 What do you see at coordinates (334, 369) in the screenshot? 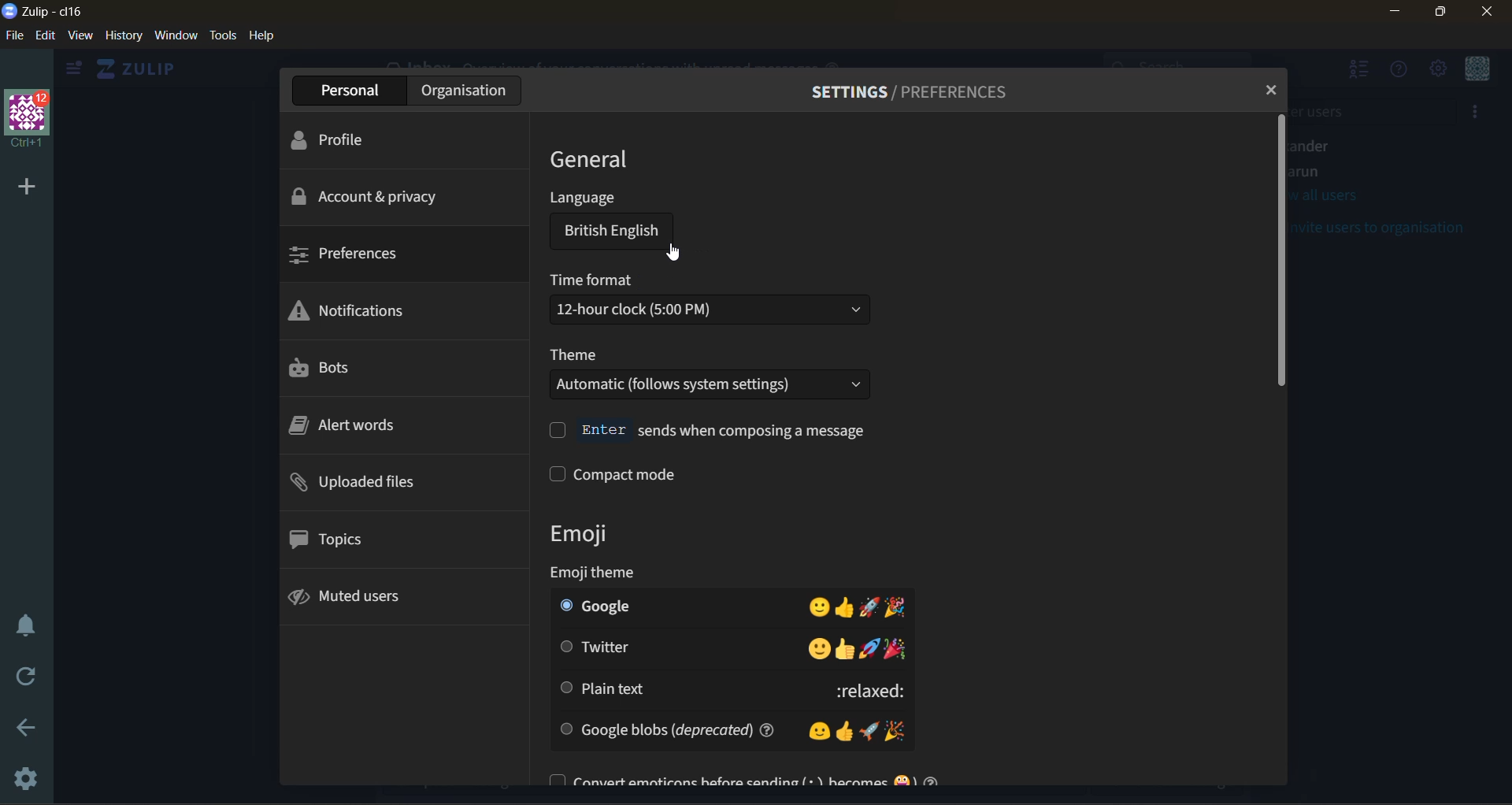
I see `bots` at bounding box center [334, 369].